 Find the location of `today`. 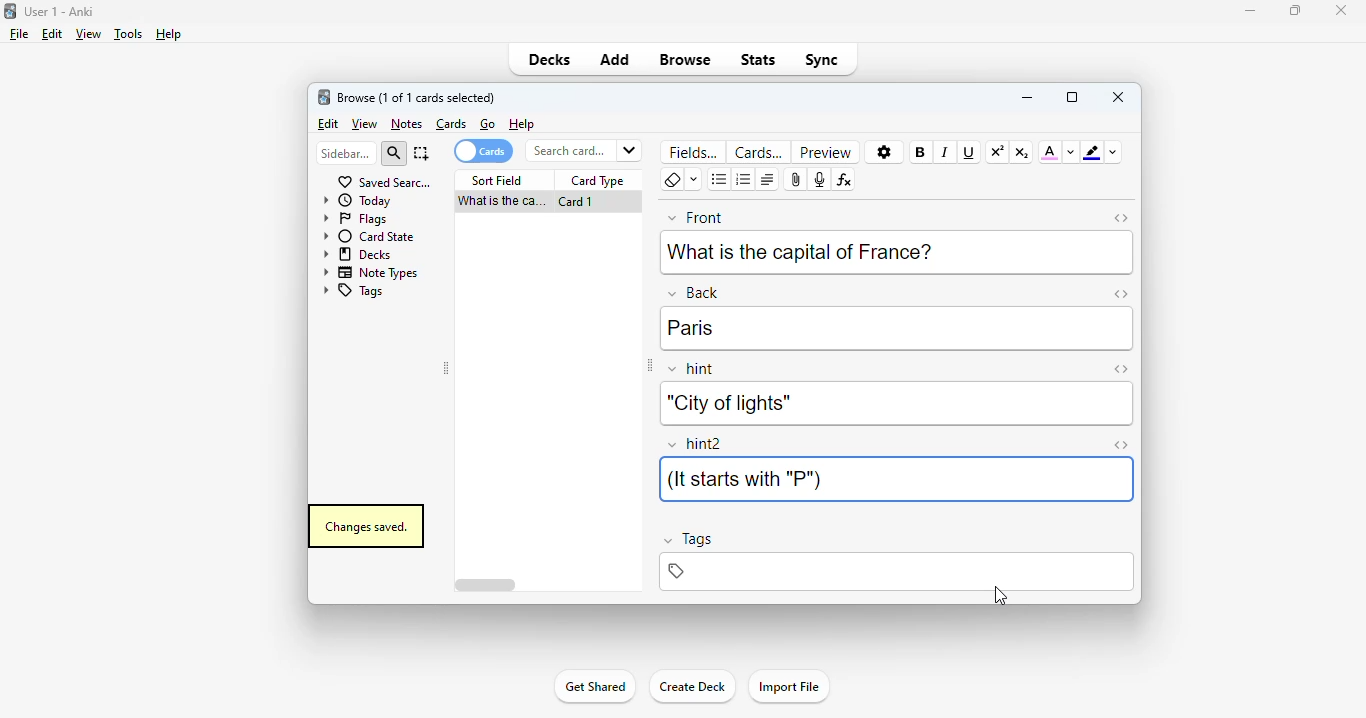

today is located at coordinates (357, 200).